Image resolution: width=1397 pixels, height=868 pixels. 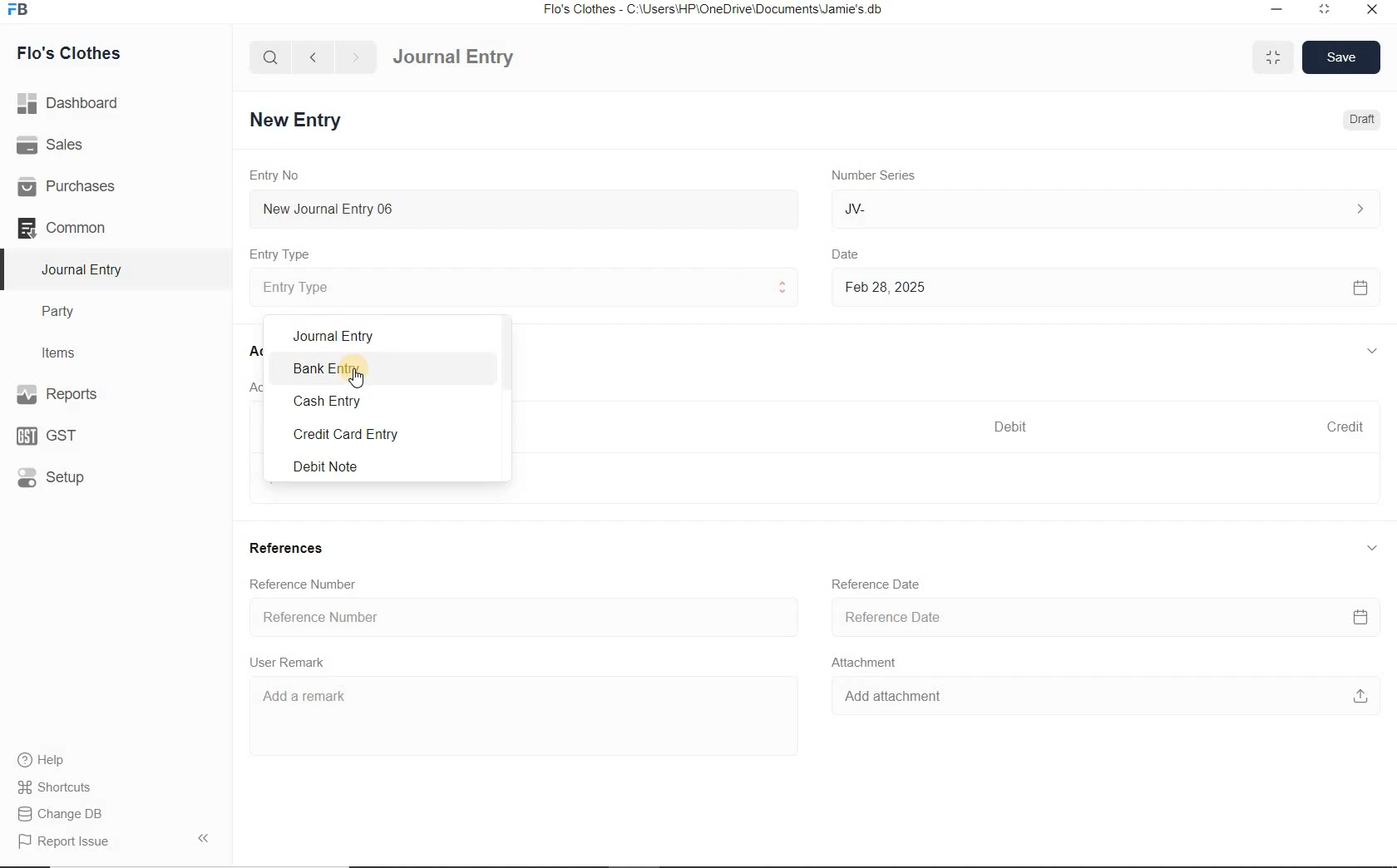 What do you see at coordinates (358, 402) in the screenshot?
I see `Cash Entry` at bounding box center [358, 402].